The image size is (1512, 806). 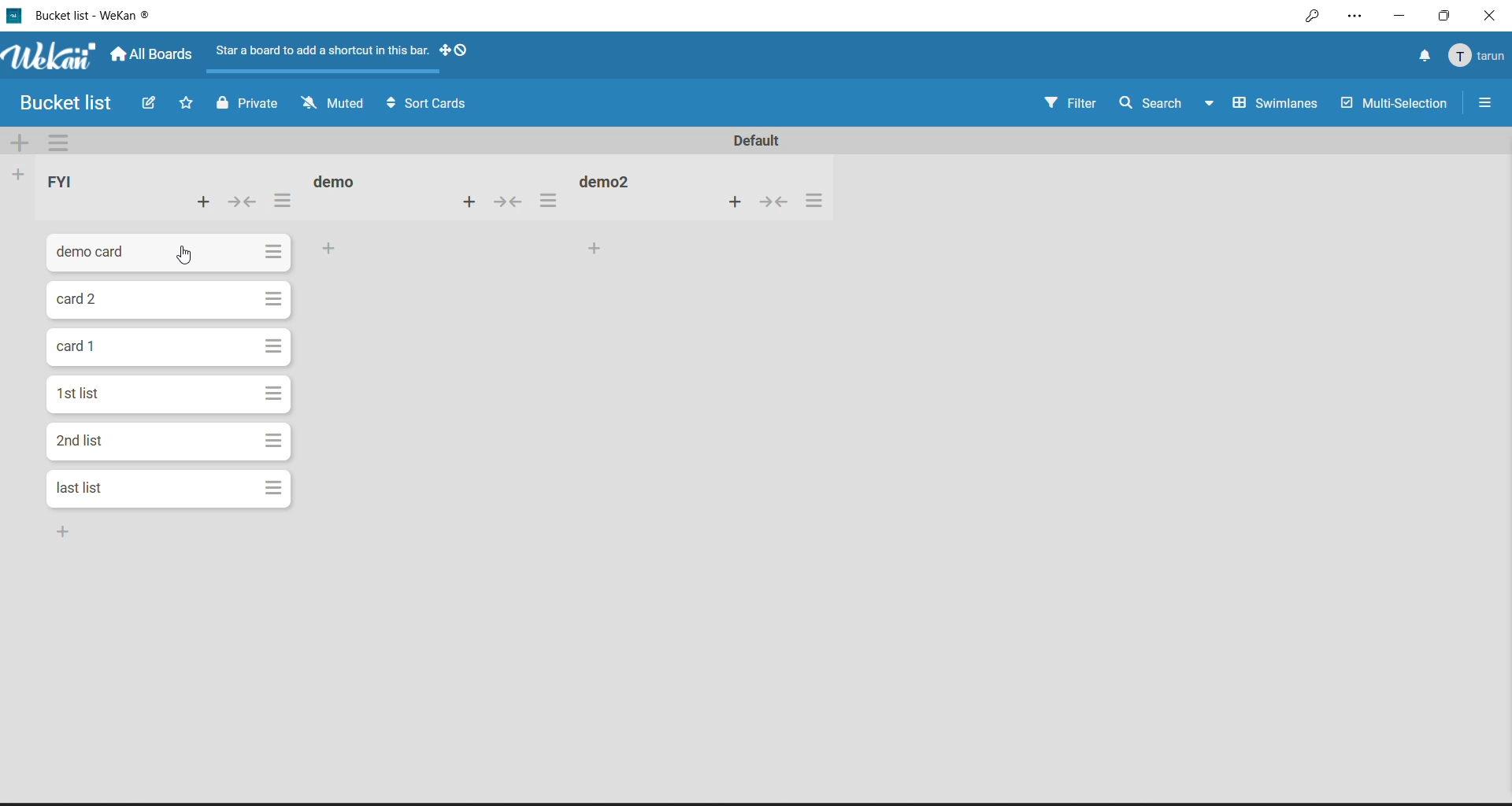 What do you see at coordinates (80, 15) in the screenshot?
I see `file title` at bounding box center [80, 15].